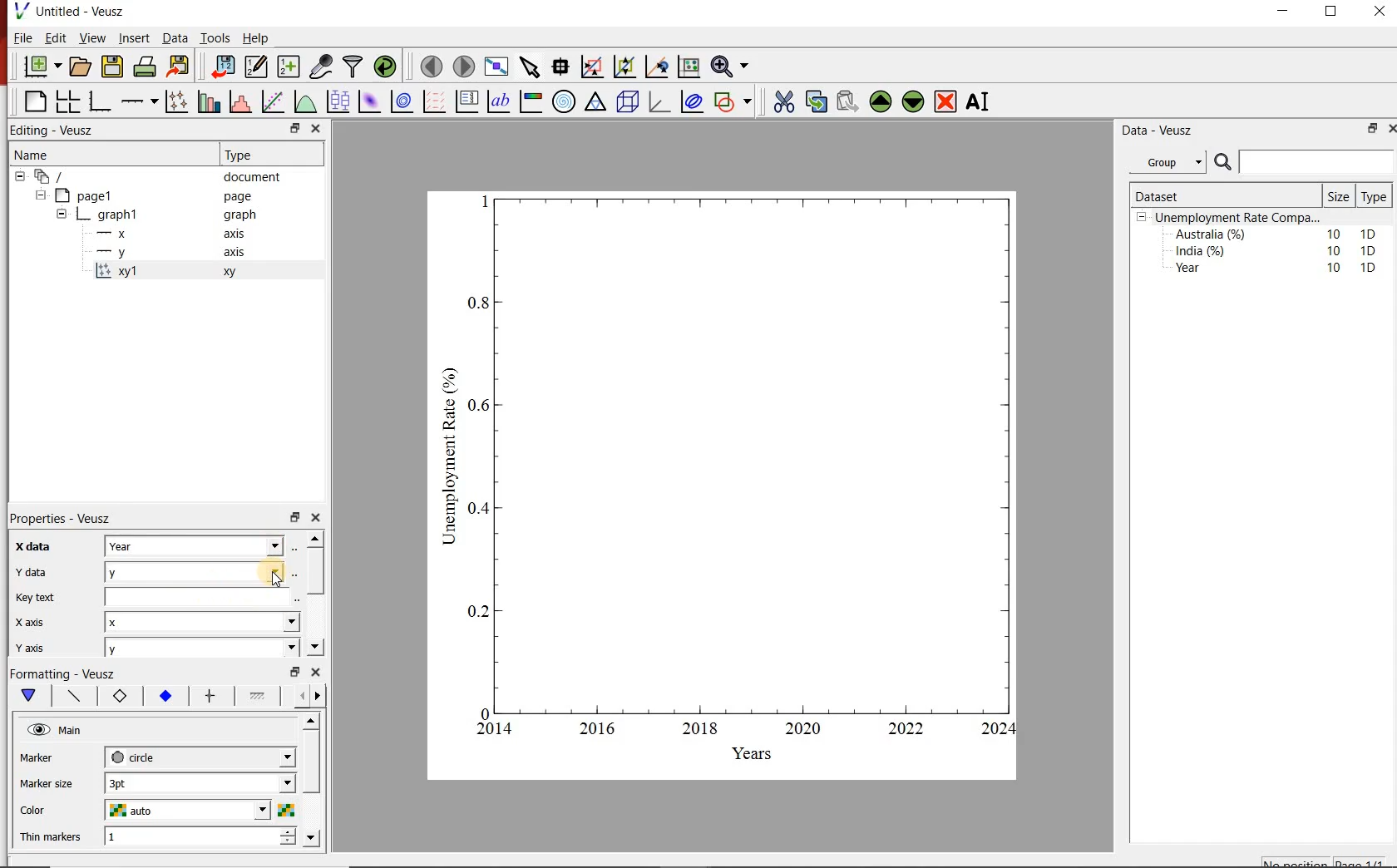  Describe the element at coordinates (19, 37) in the screenshot. I see `| File` at that location.